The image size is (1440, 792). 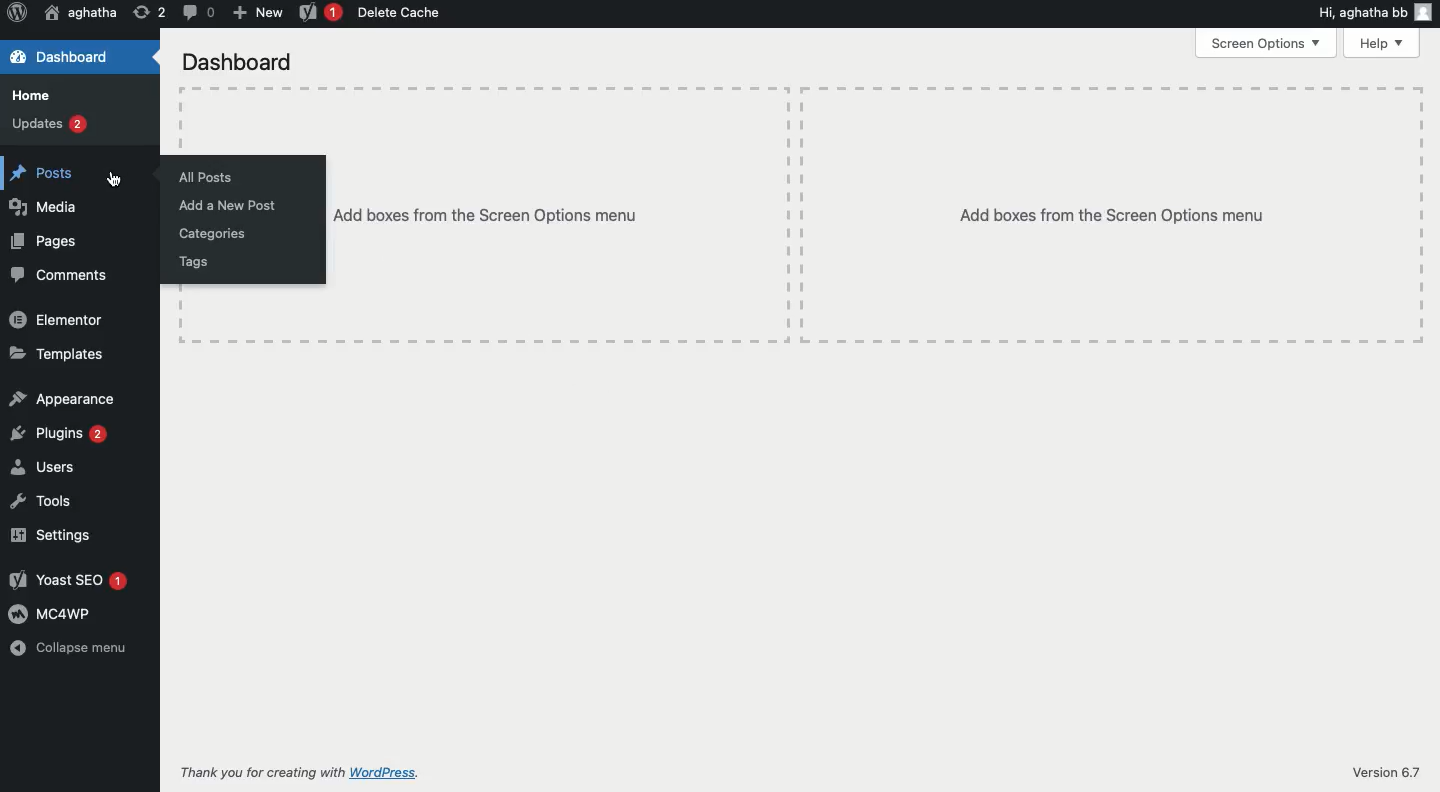 What do you see at coordinates (63, 399) in the screenshot?
I see `Appearance` at bounding box center [63, 399].